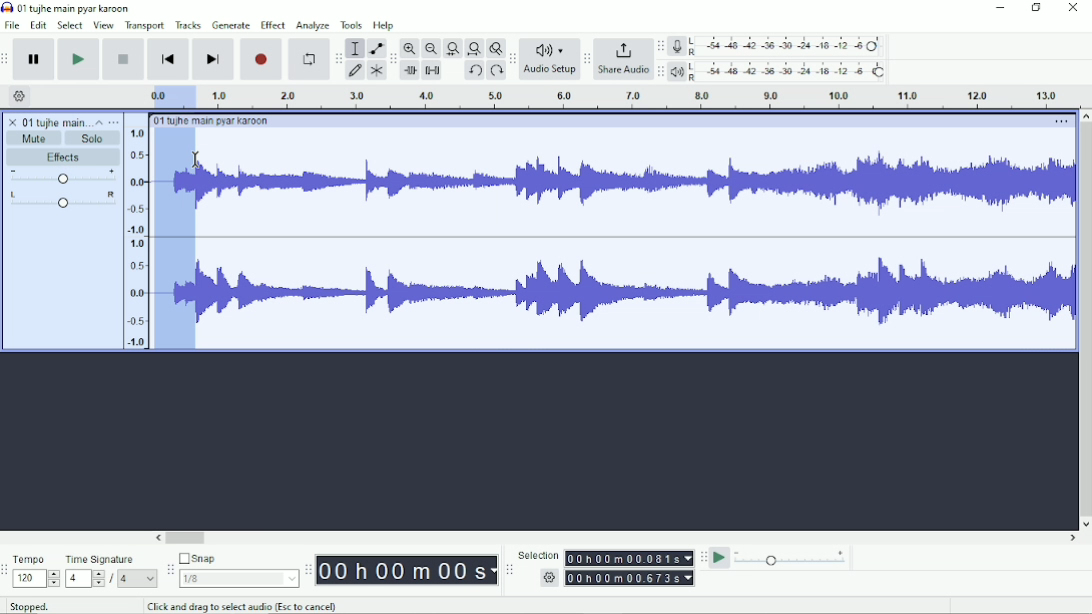 The height and width of the screenshot is (614, 1092). Describe the element at coordinates (36, 559) in the screenshot. I see `Tempo` at that location.